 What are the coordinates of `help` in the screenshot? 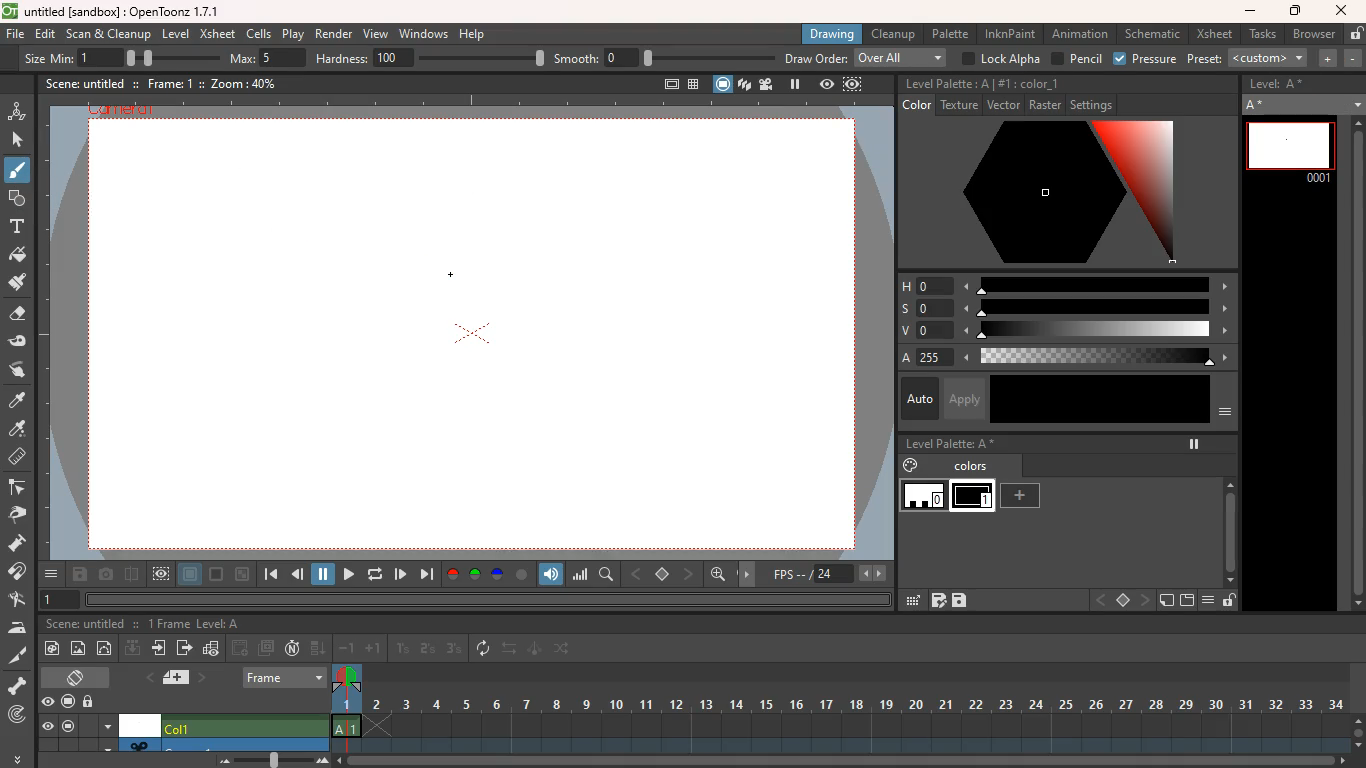 It's located at (474, 35).